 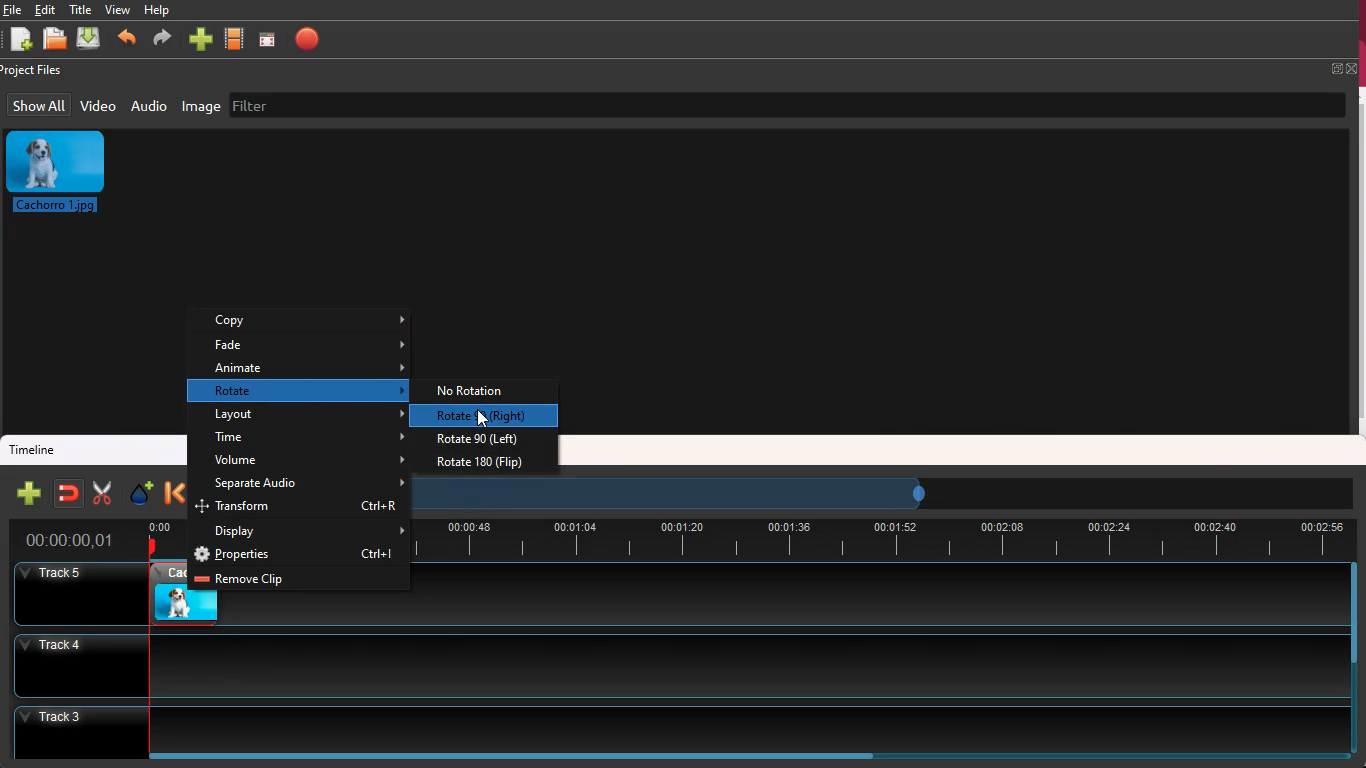 What do you see at coordinates (485, 416) in the screenshot?
I see `selected option` at bounding box center [485, 416].